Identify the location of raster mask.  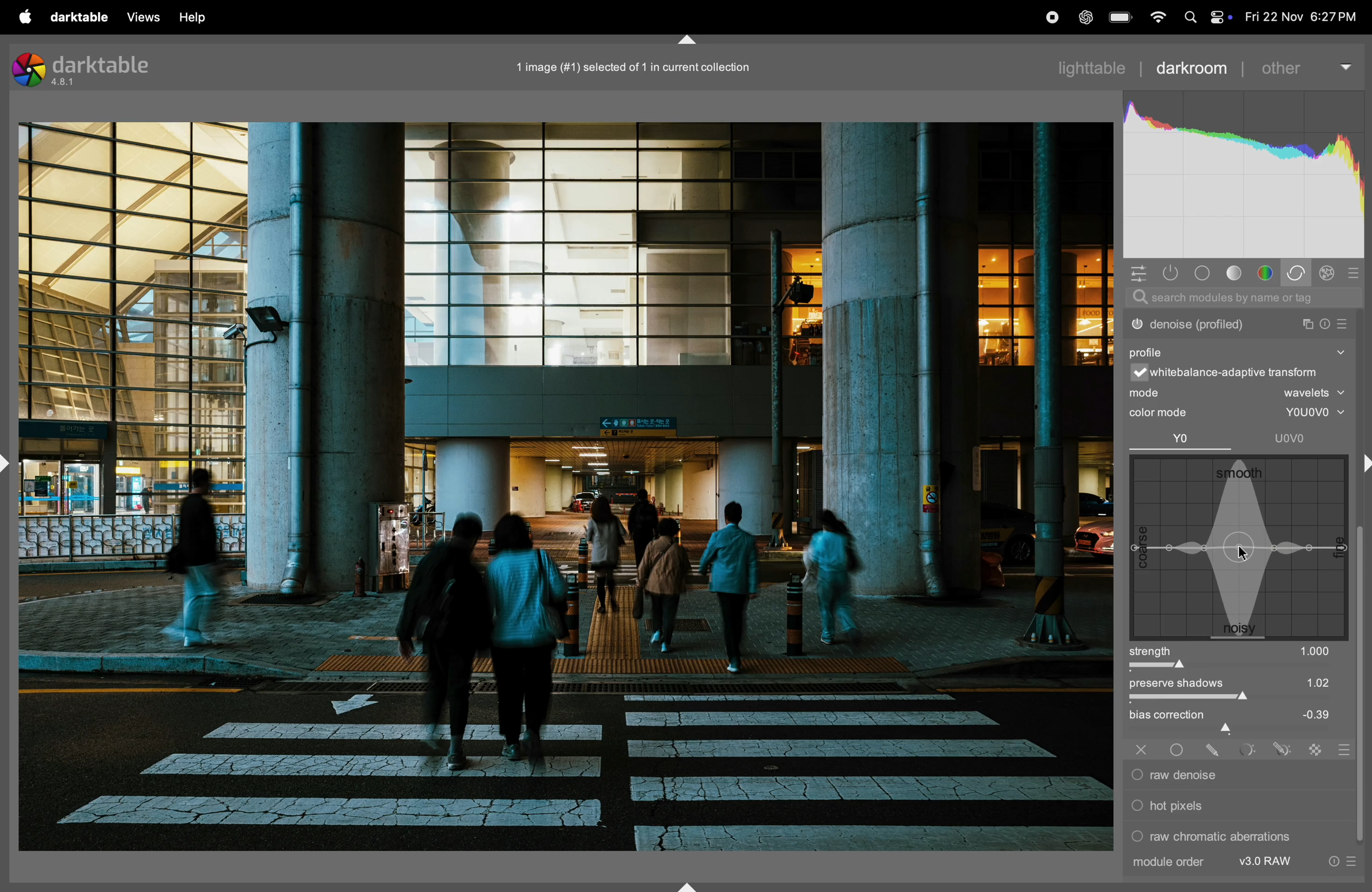
(1318, 749).